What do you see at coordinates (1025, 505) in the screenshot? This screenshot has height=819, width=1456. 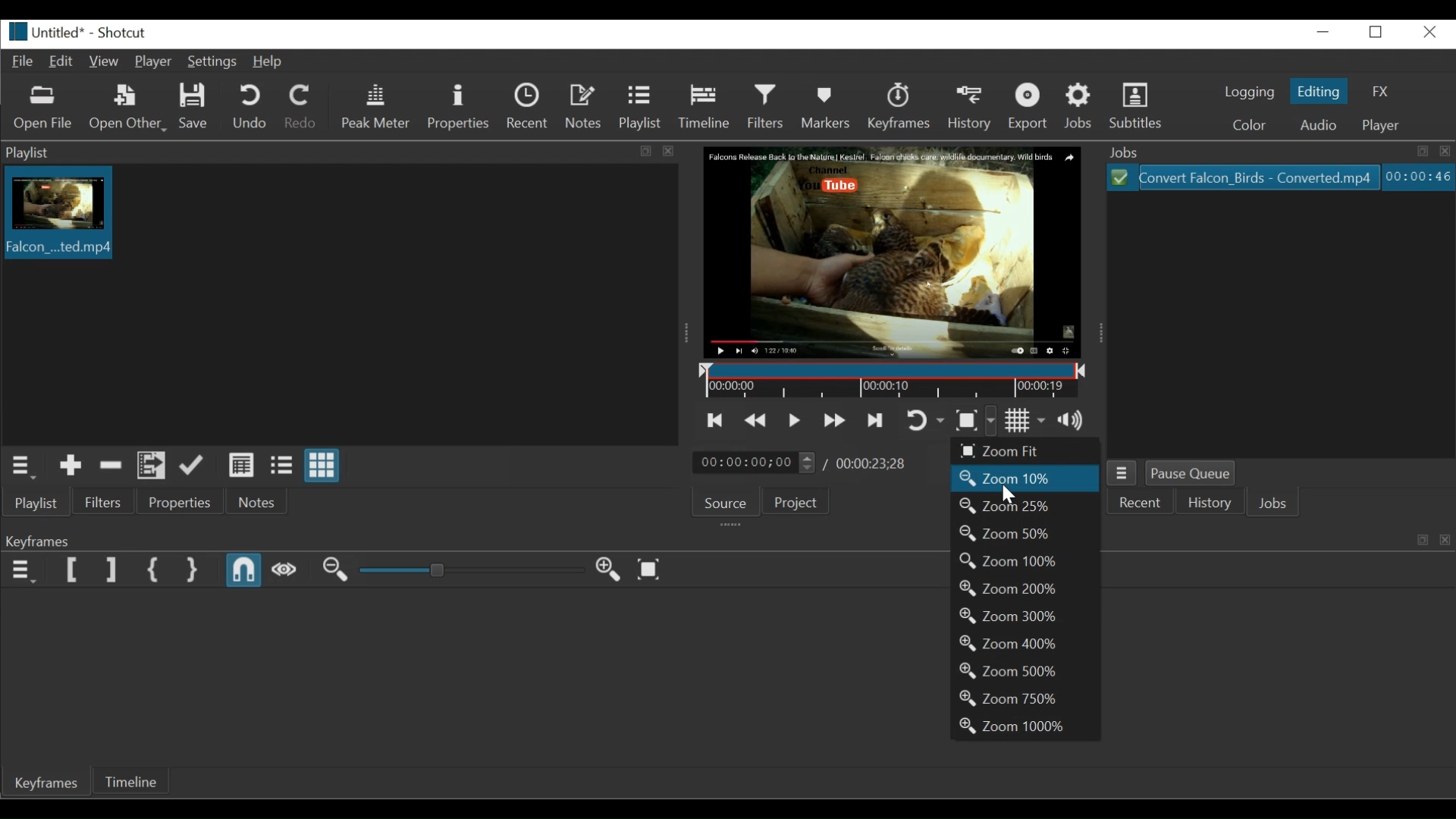 I see `Zoom 25%` at bounding box center [1025, 505].